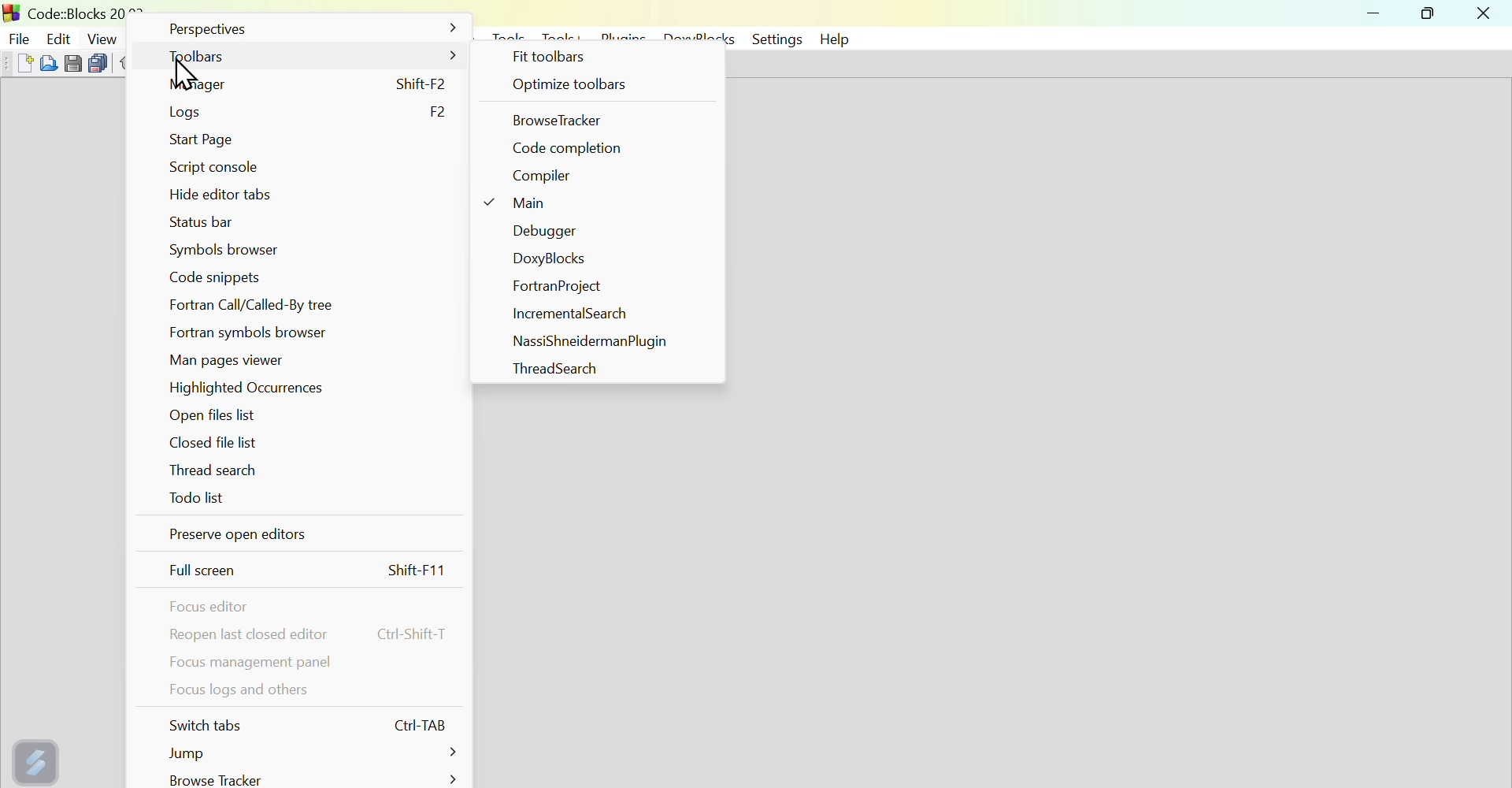  I want to click on Fortran symbols browser, so click(258, 332).